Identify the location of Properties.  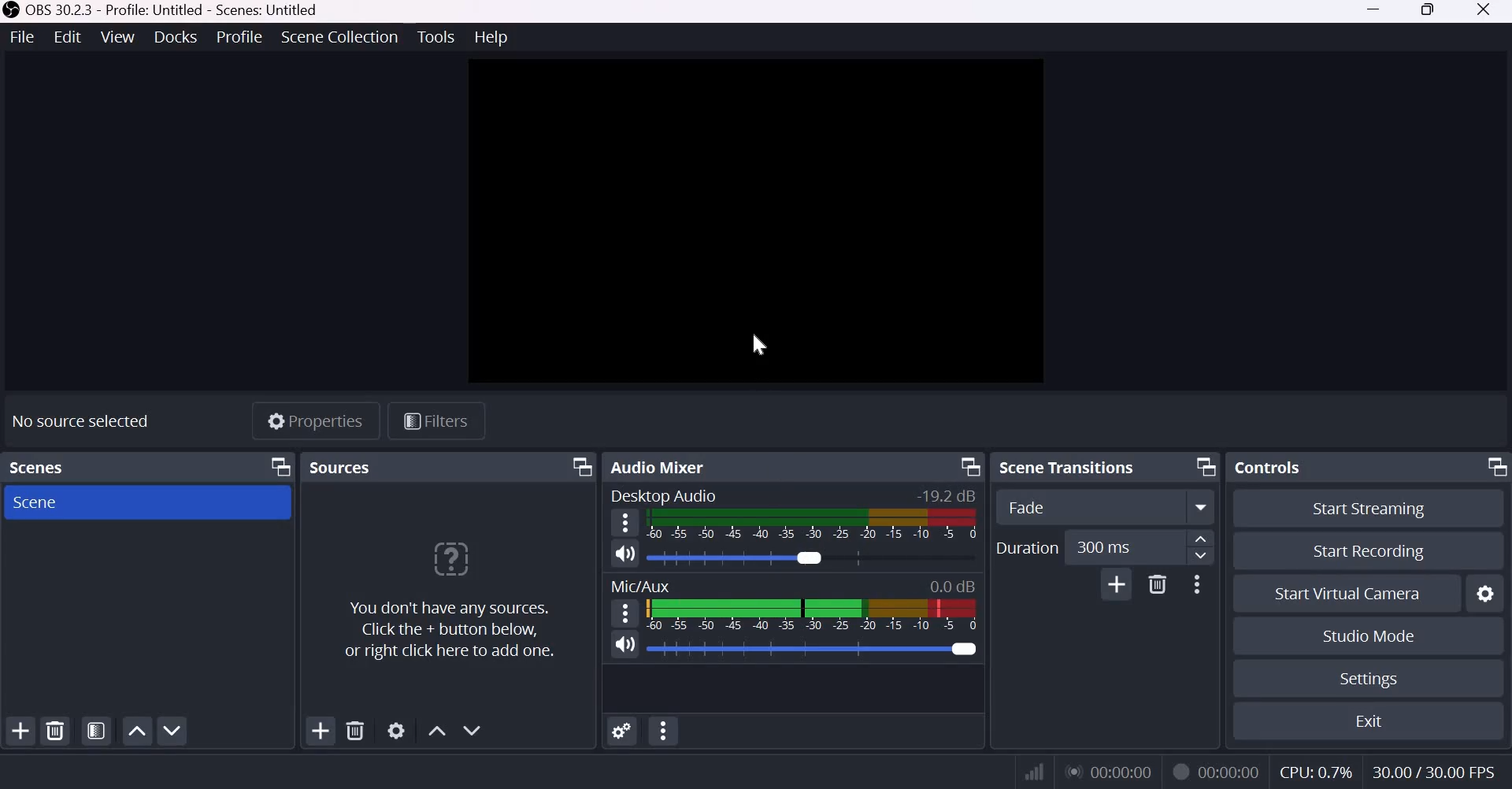
(313, 420).